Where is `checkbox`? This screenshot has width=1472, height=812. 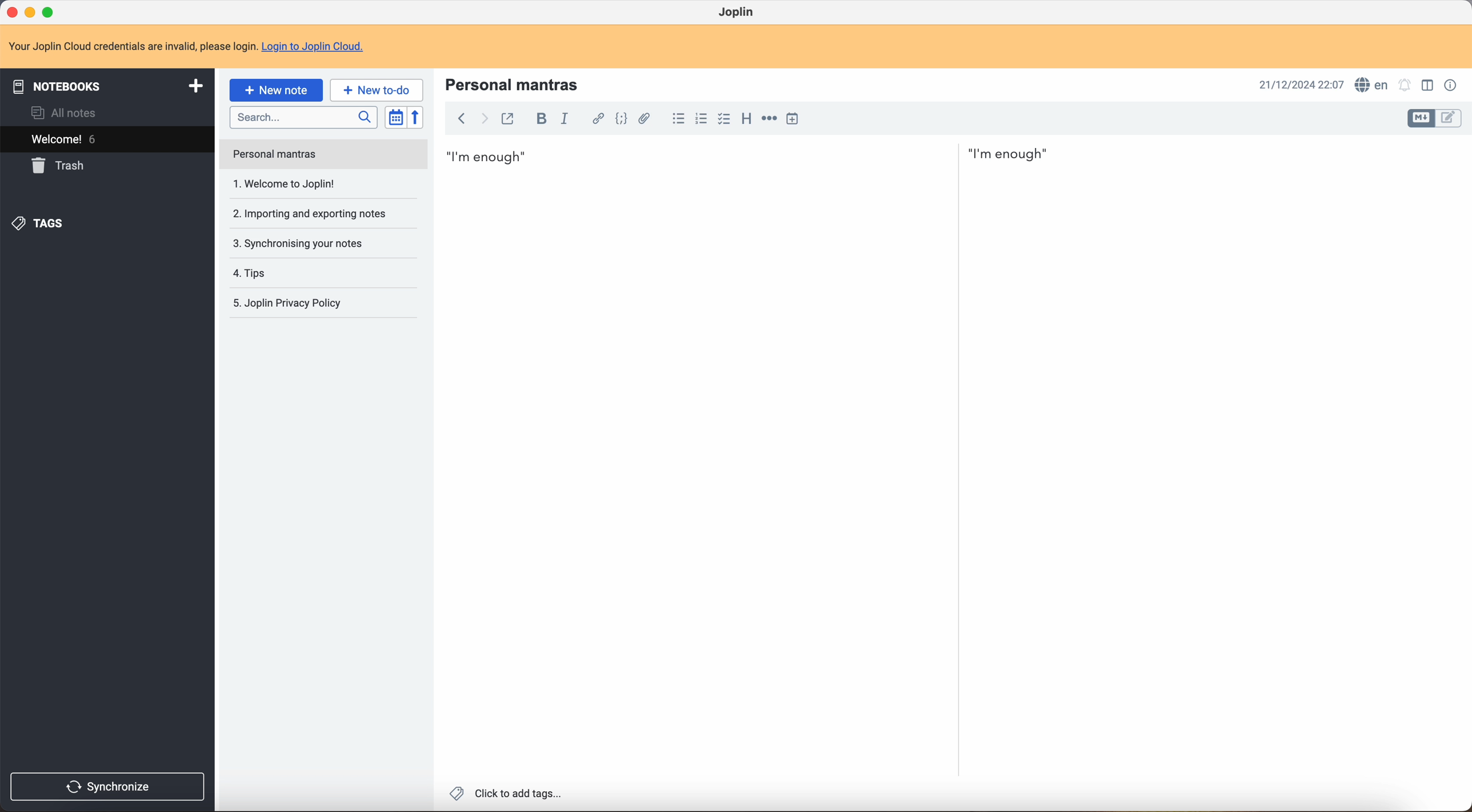
checkbox is located at coordinates (724, 119).